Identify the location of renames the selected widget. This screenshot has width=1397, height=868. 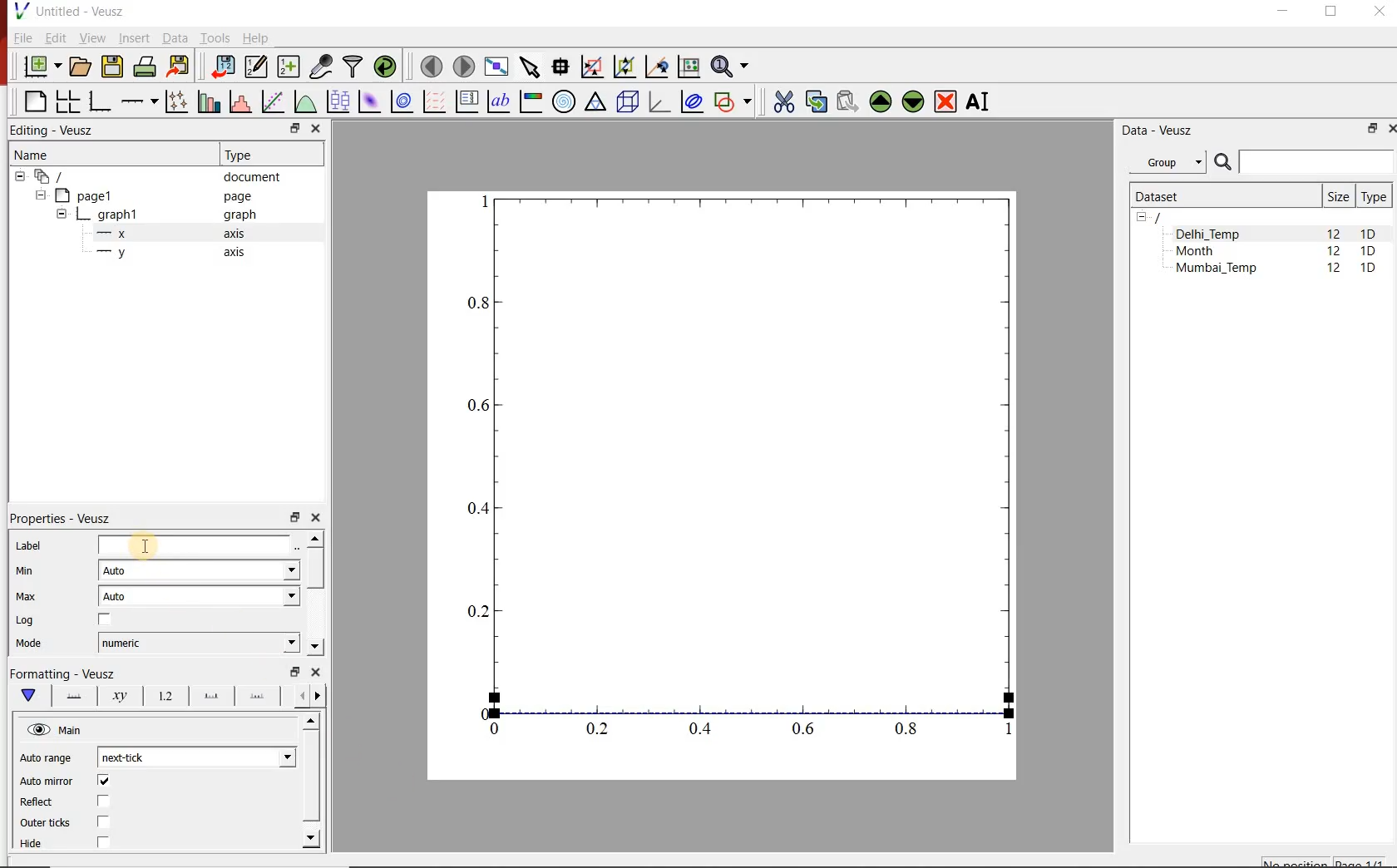
(979, 102).